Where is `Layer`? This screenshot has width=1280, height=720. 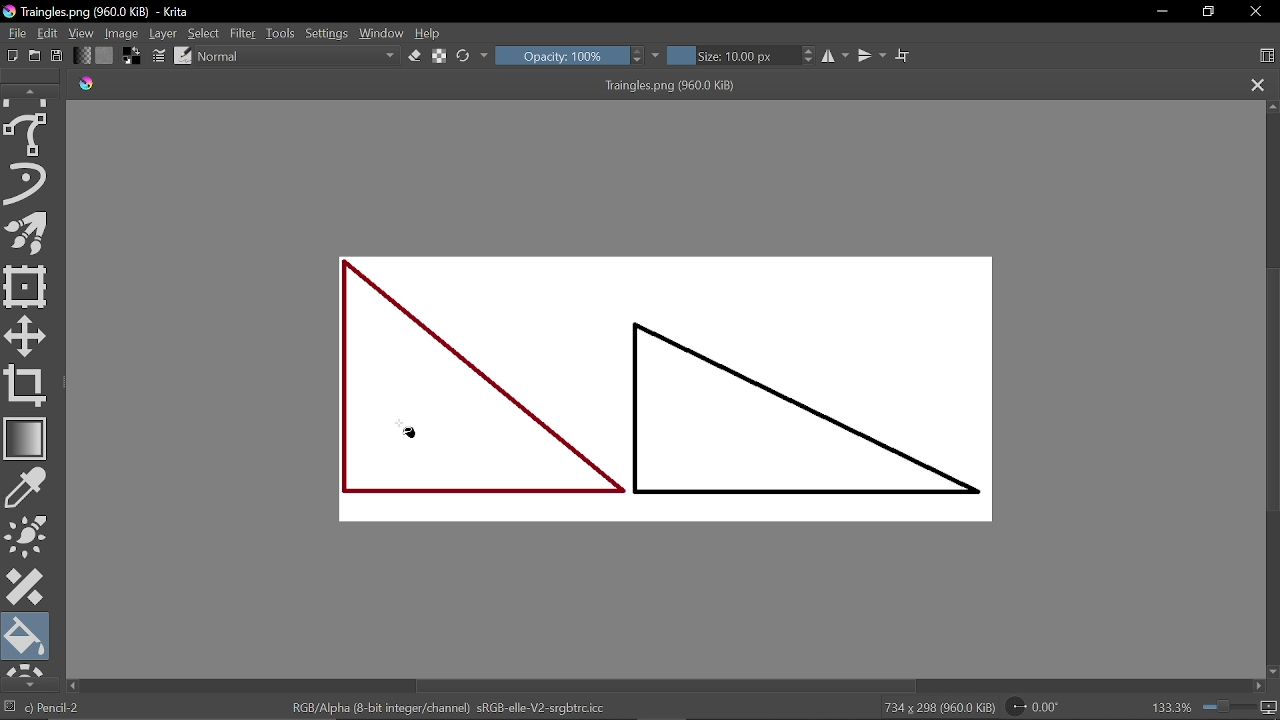
Layer is located at coordinates (164, 34).